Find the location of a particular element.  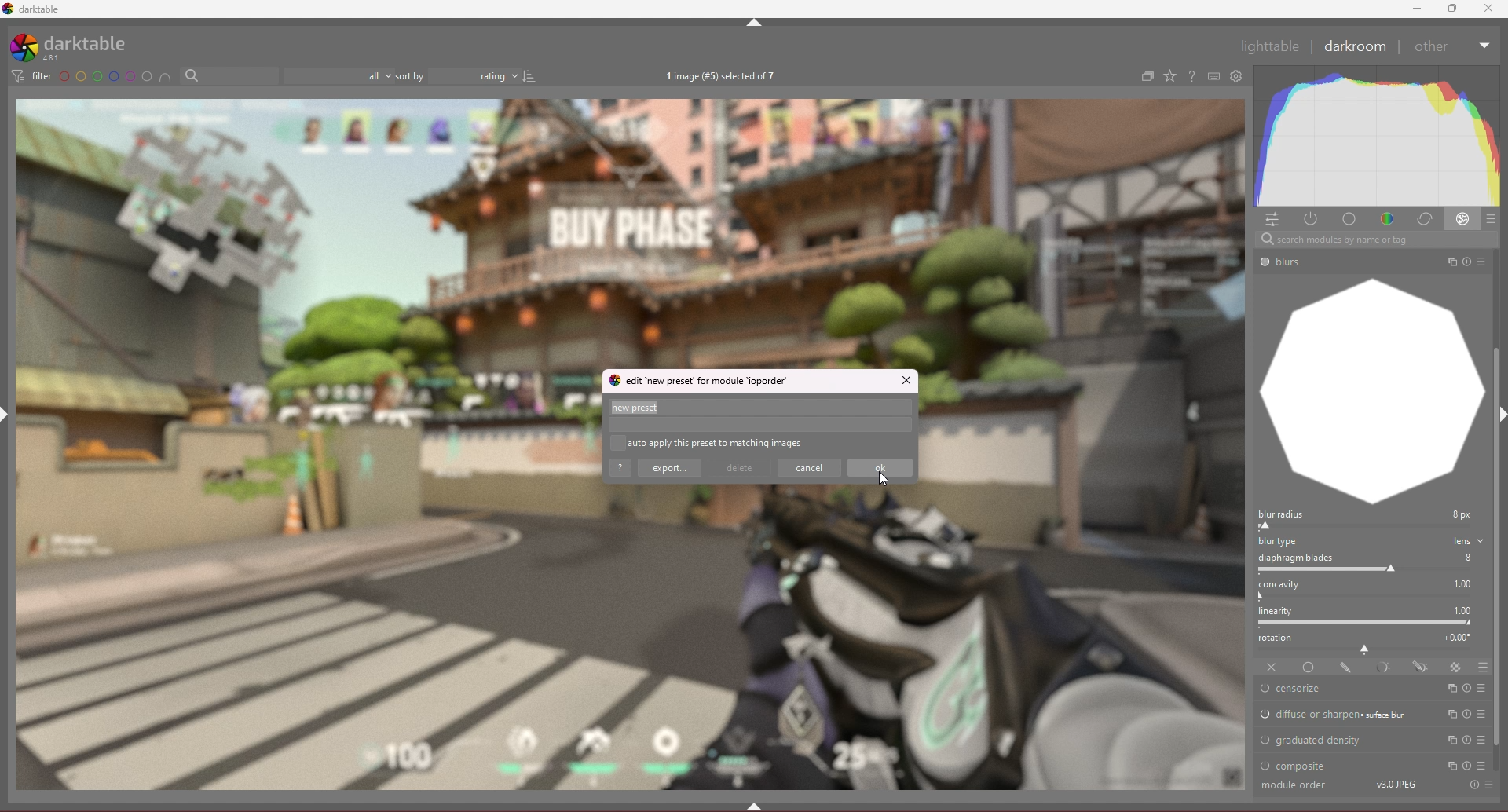

reset is located at coordinates (1468, 688).